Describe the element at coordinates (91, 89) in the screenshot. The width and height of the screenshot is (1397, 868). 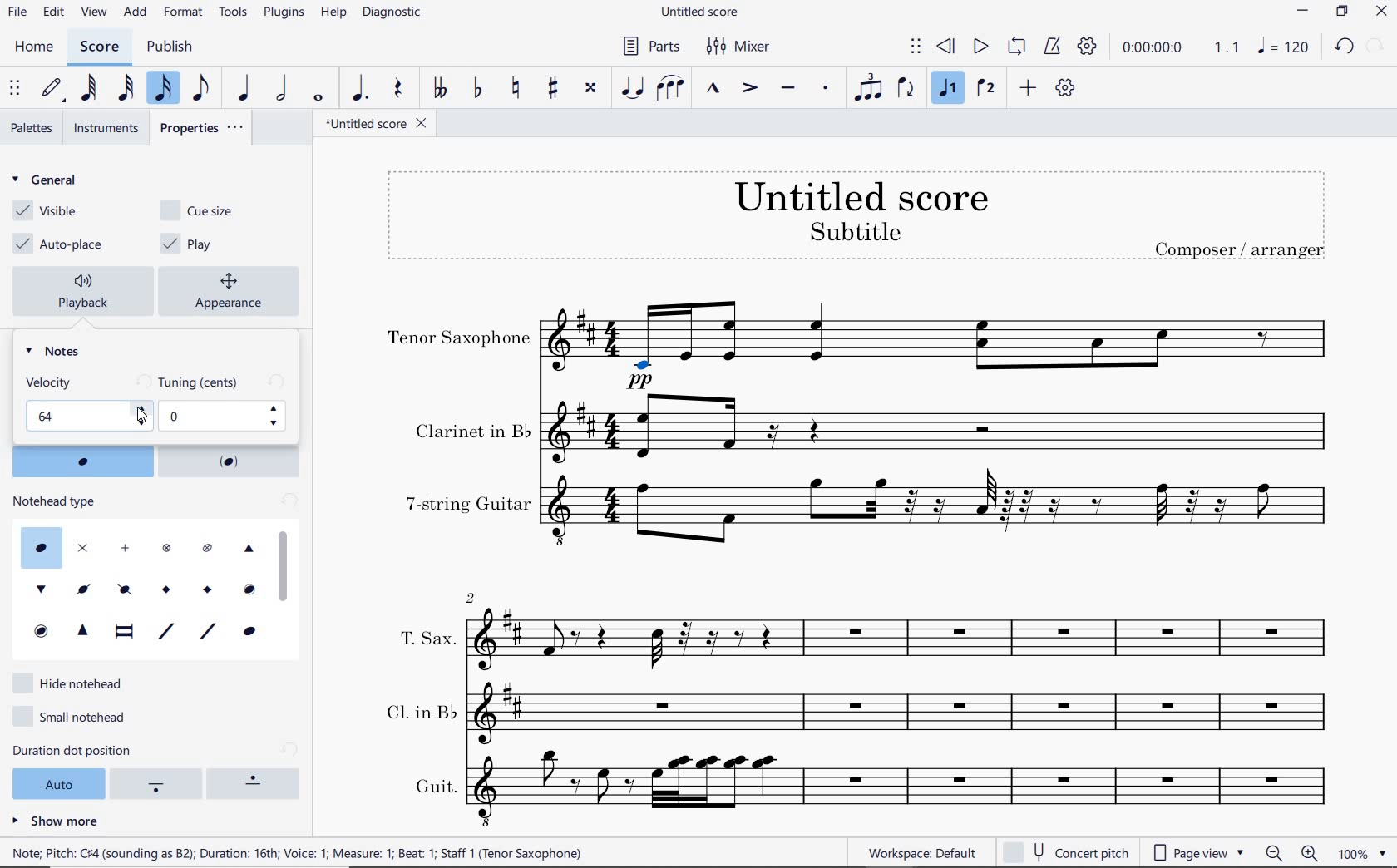
I see `64TH NOTE` at that location.